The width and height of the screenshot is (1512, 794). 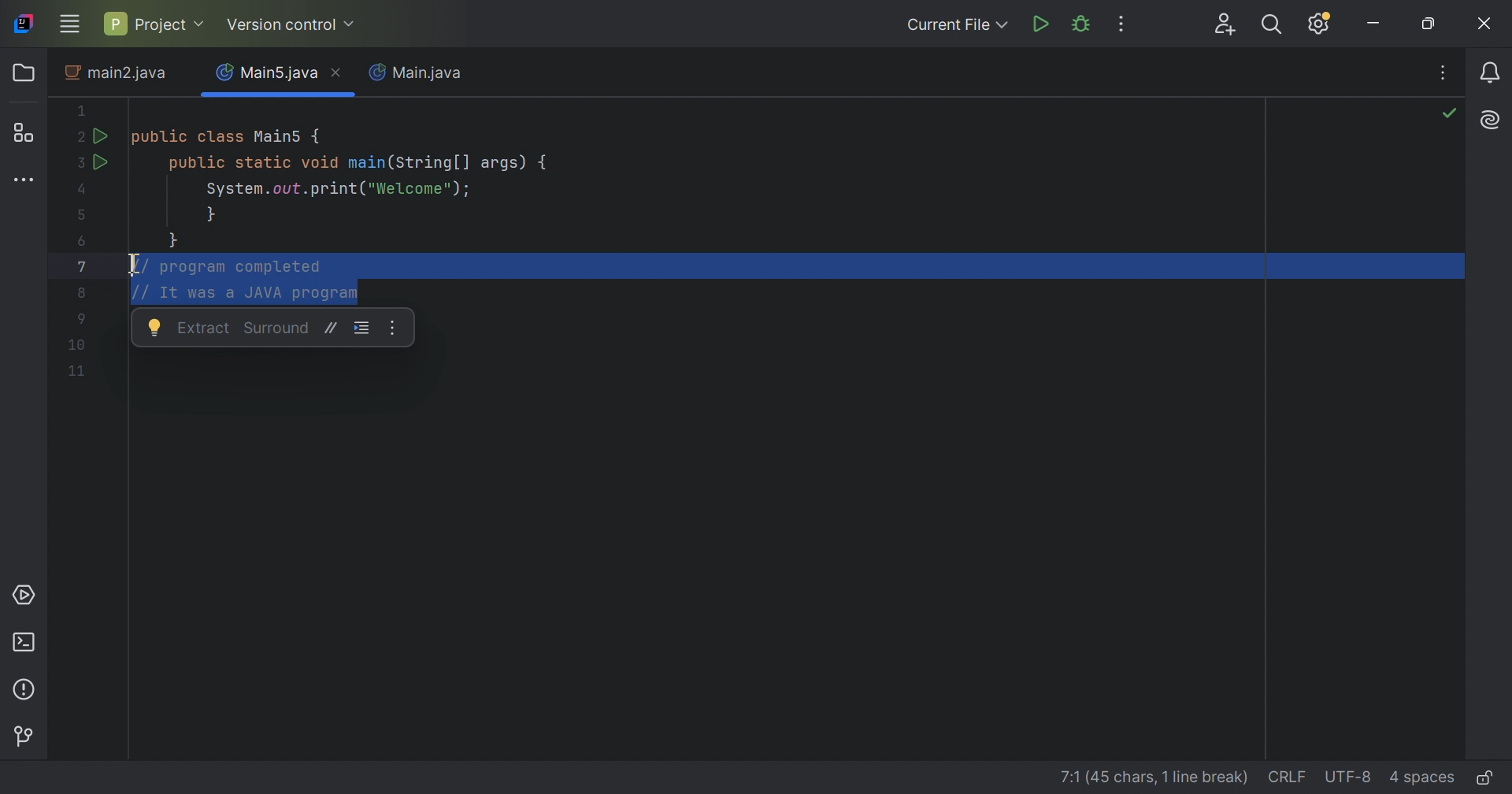 I want to click on line details, so click(x=1141, y=774).